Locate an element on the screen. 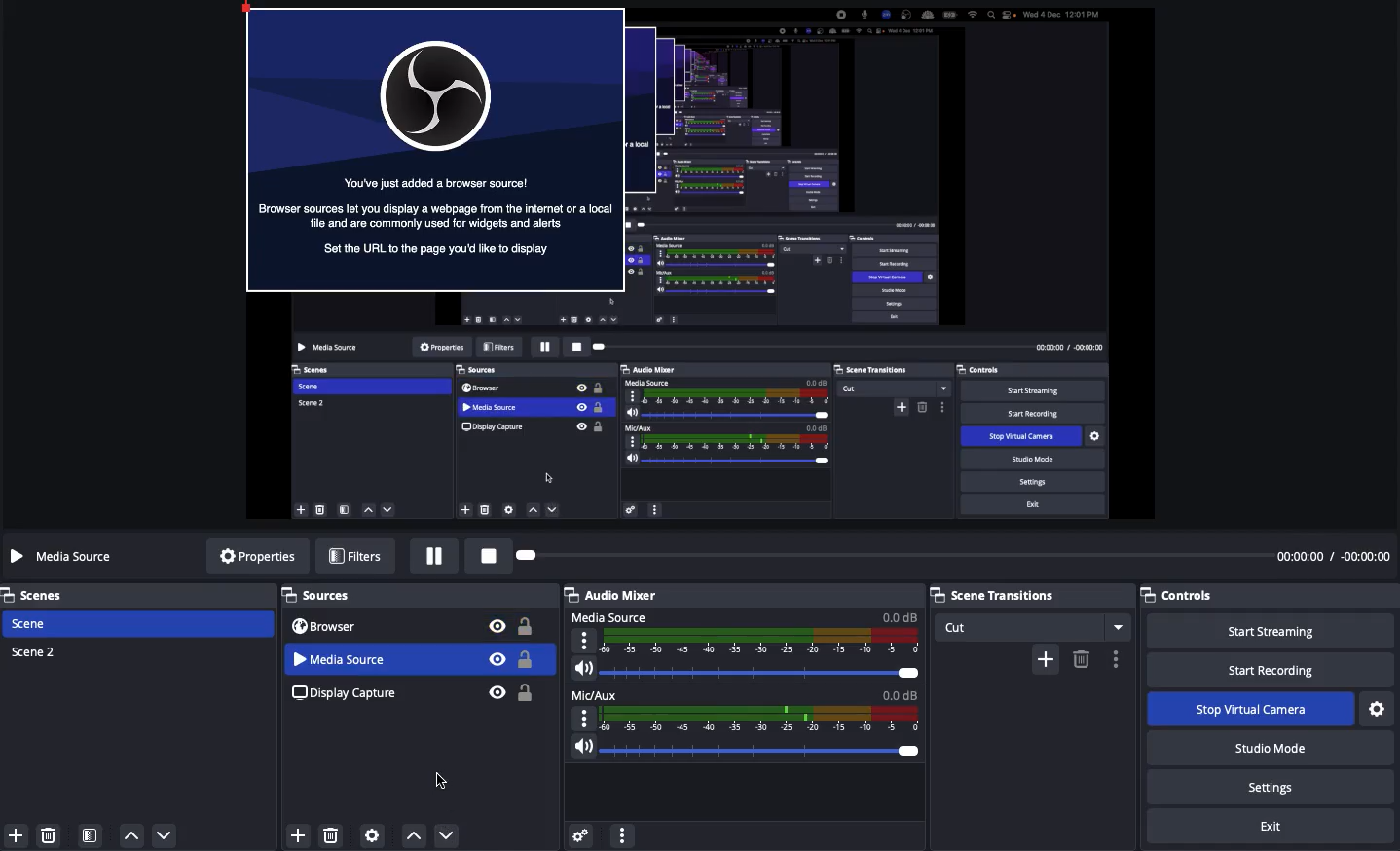  Moved down is located at coordinates (450, 786).